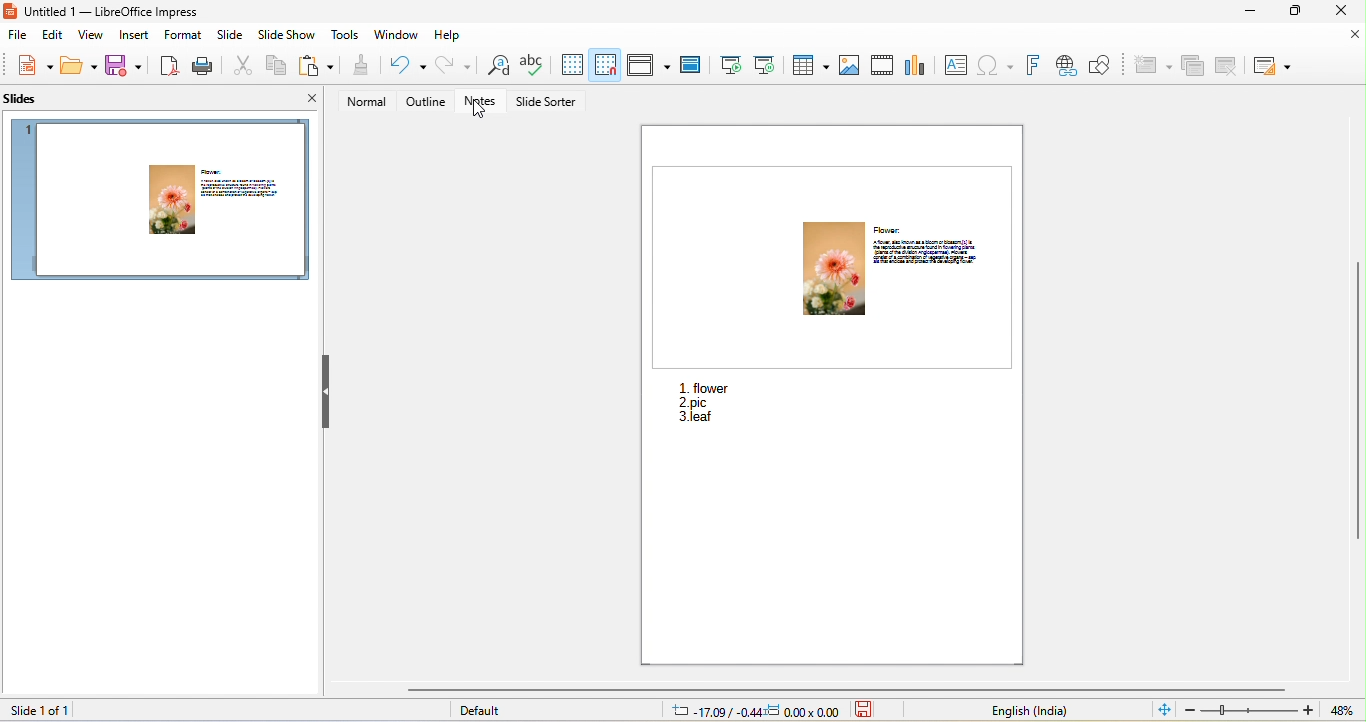  Describe the element at coordinates (181, 37) in the screenshot. I see `format` at that location.